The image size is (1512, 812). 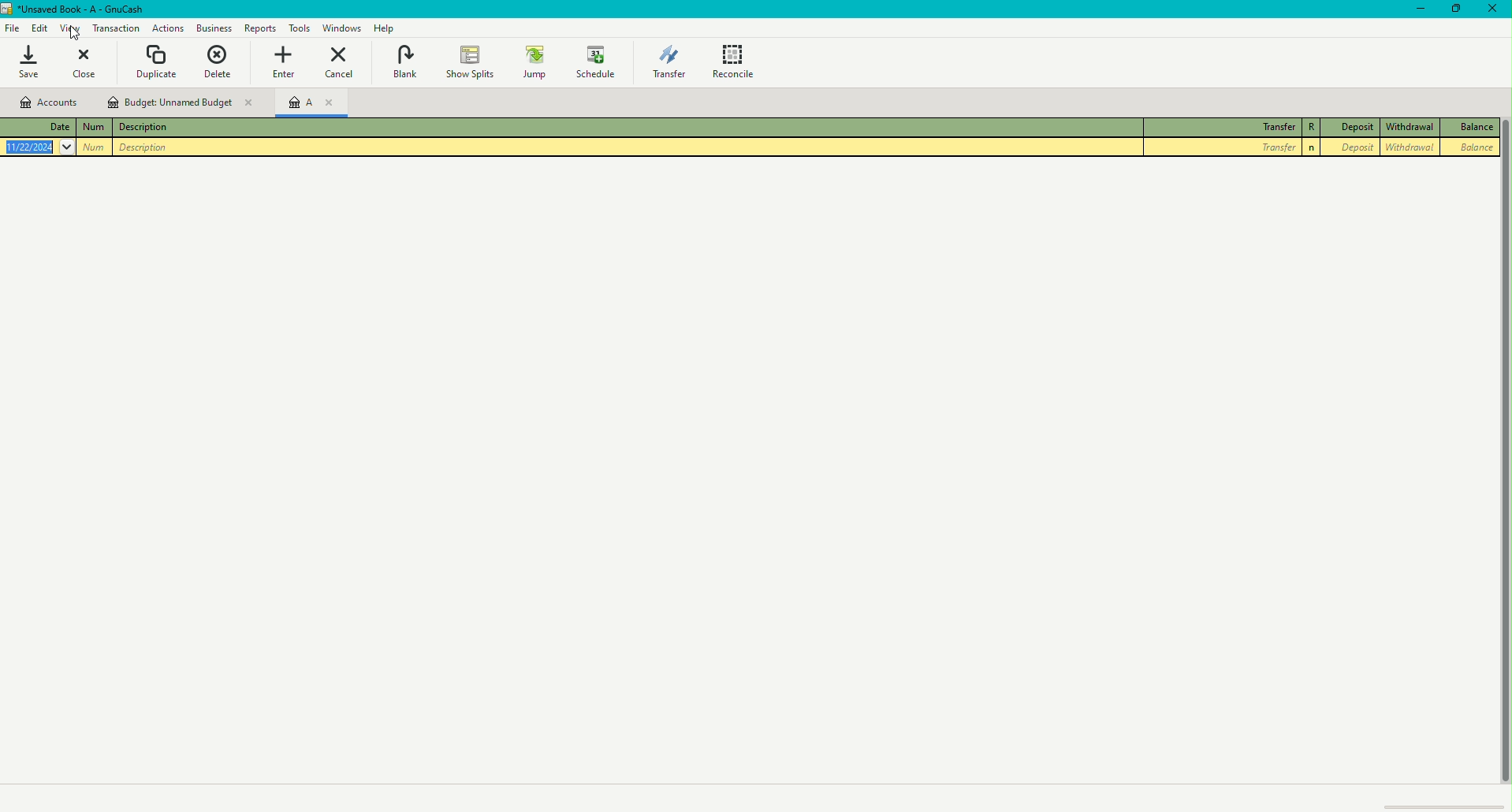 What do you see at coordinates (222, 61) in the screenshot?
I see `Delete` at bounding box center [222, 61].